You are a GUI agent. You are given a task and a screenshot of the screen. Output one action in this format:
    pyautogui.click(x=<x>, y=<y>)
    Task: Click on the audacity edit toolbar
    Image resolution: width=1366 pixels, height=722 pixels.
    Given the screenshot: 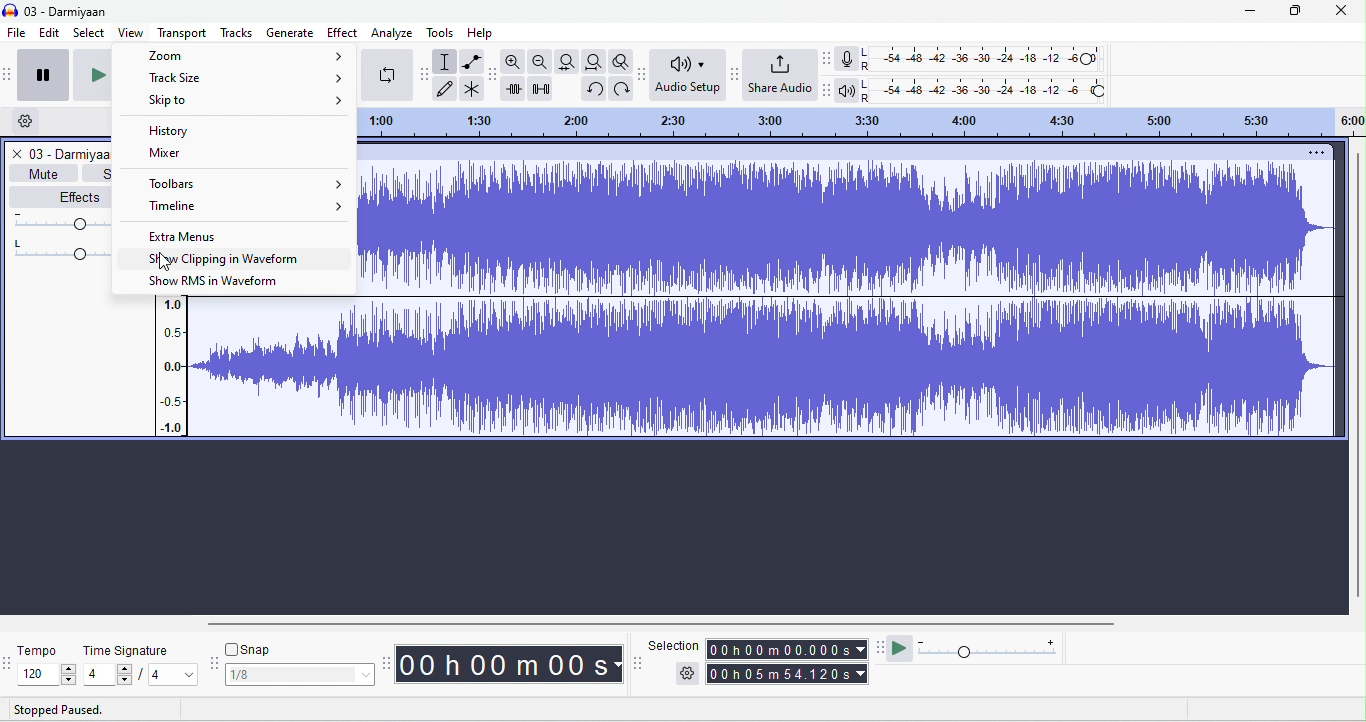 What is the action you would take?
    pyautogui.click(x=493, y=75)
    